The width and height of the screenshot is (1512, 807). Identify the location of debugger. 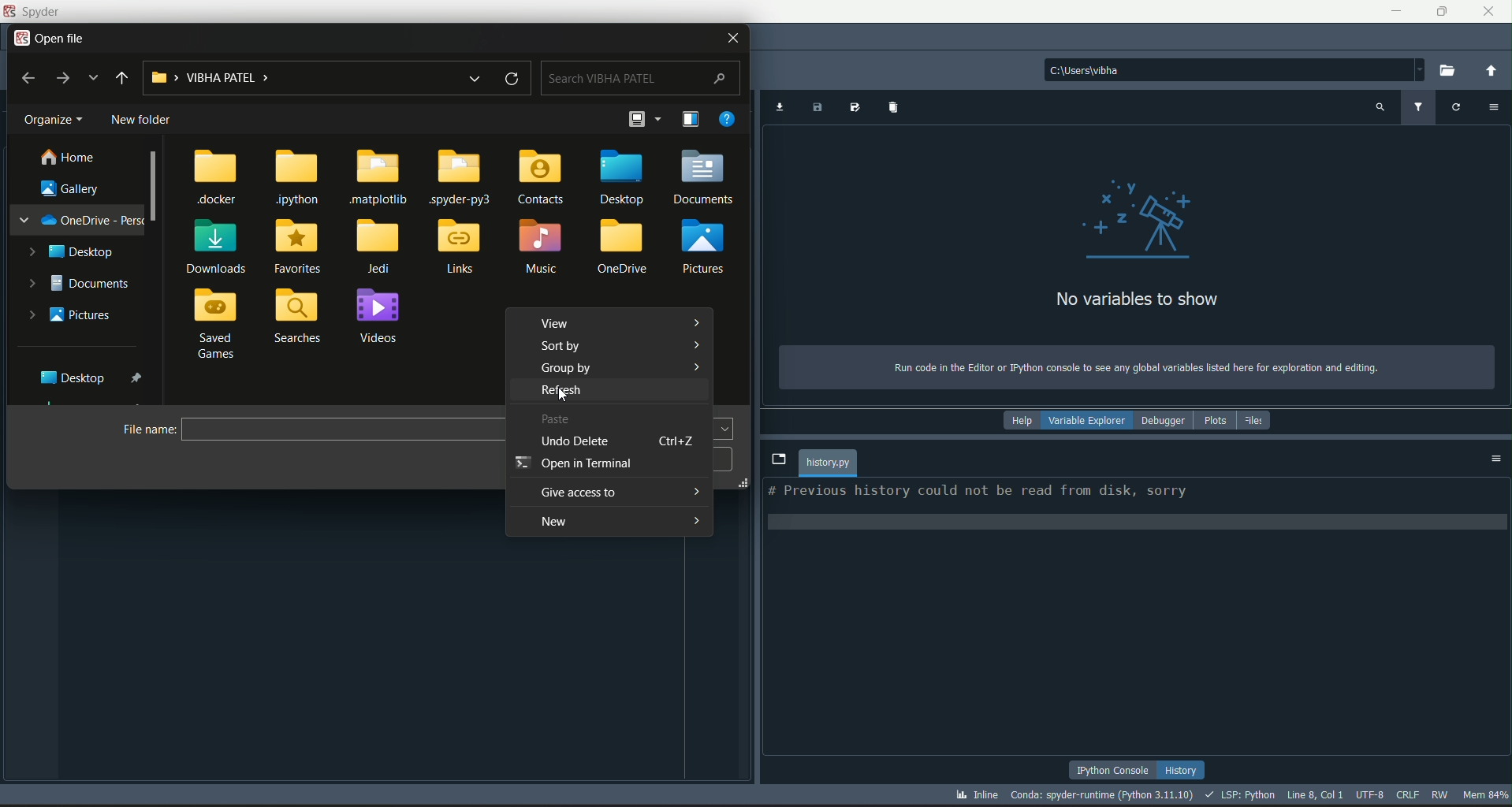
(1164, 419).